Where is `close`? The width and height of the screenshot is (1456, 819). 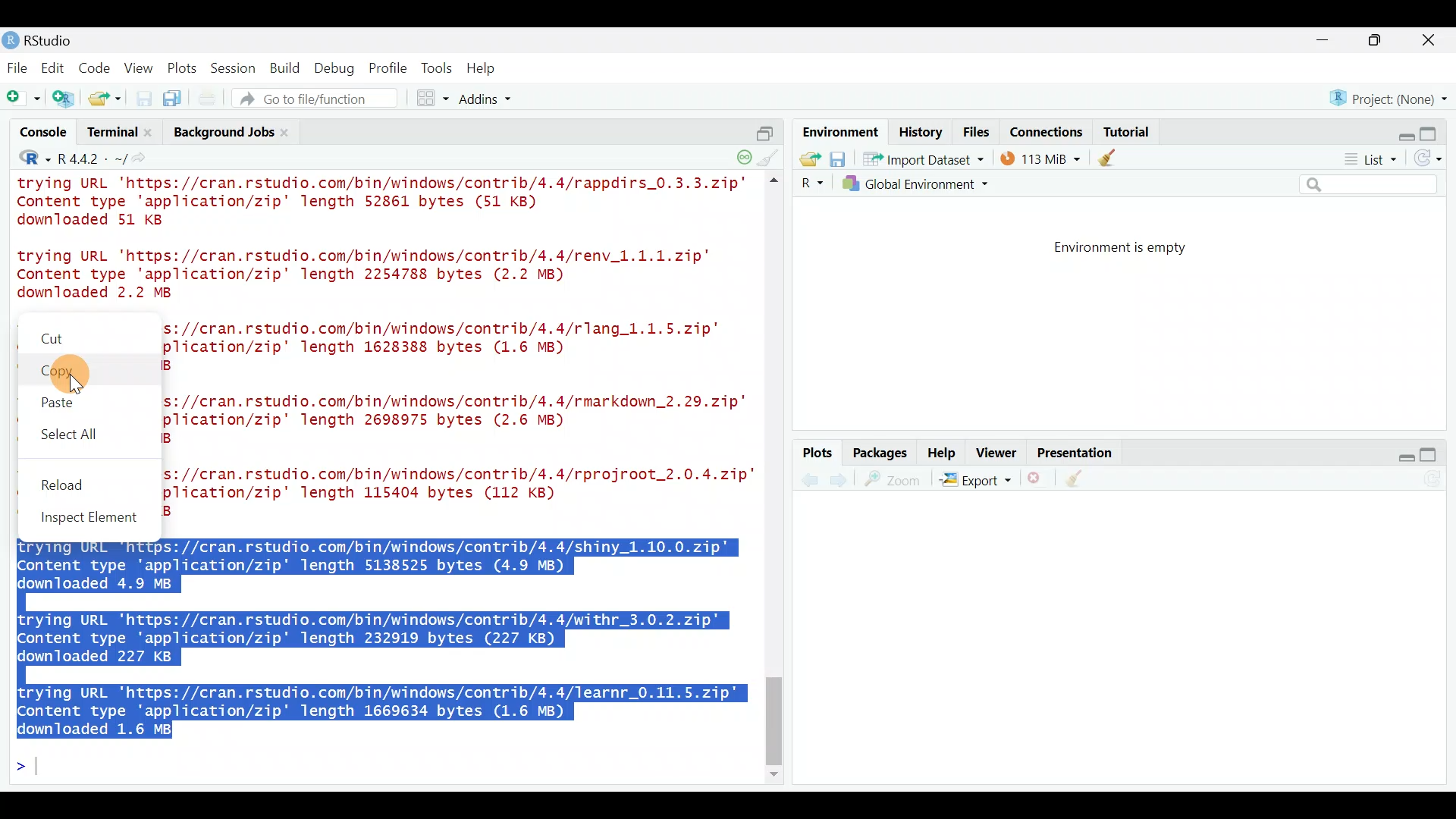
close is located at coordinates (1429, 42).